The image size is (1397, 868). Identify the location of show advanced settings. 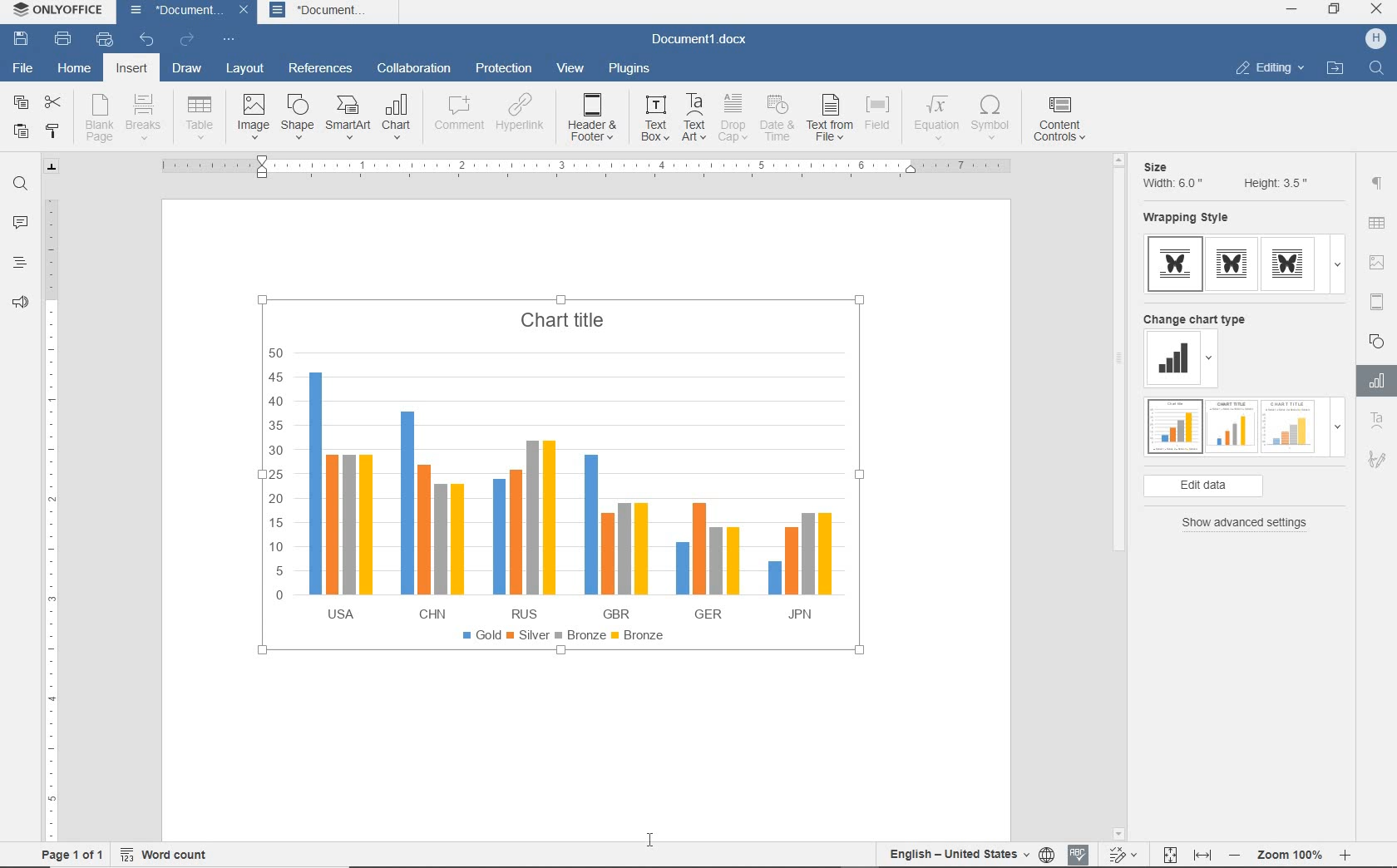
(1249, 523).